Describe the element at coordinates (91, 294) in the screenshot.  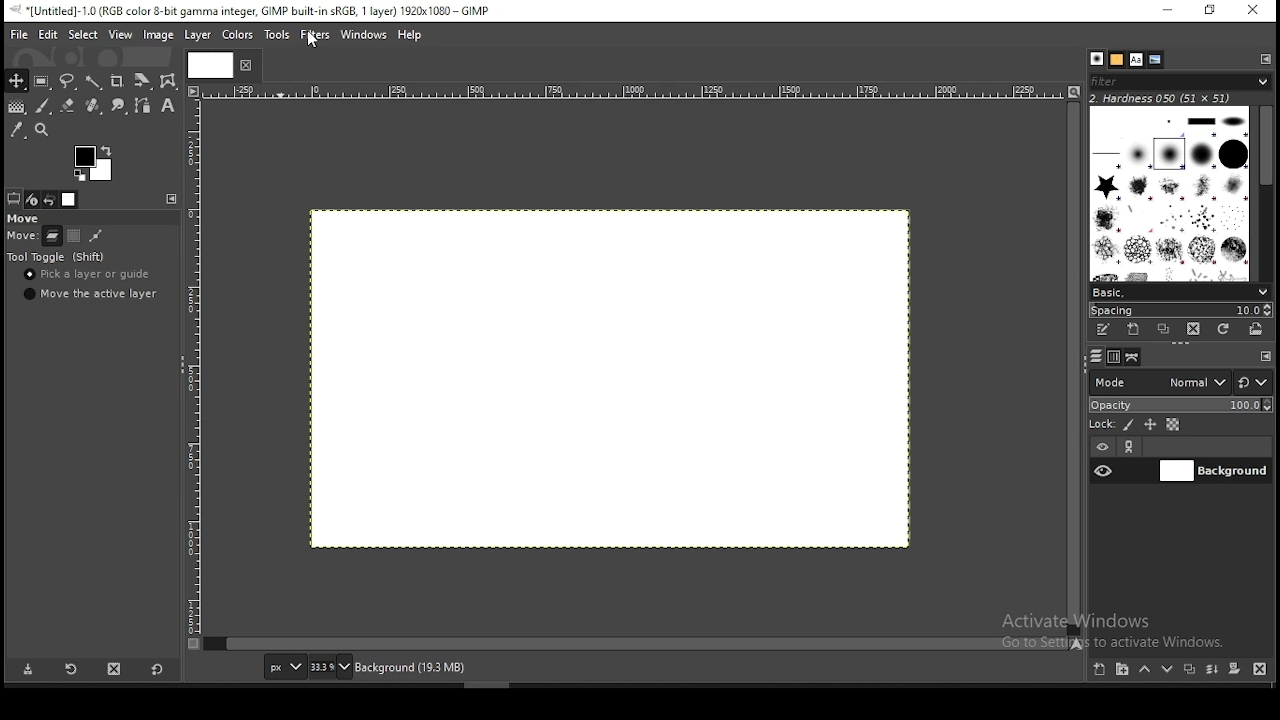
I see `move the active layer` at that location.